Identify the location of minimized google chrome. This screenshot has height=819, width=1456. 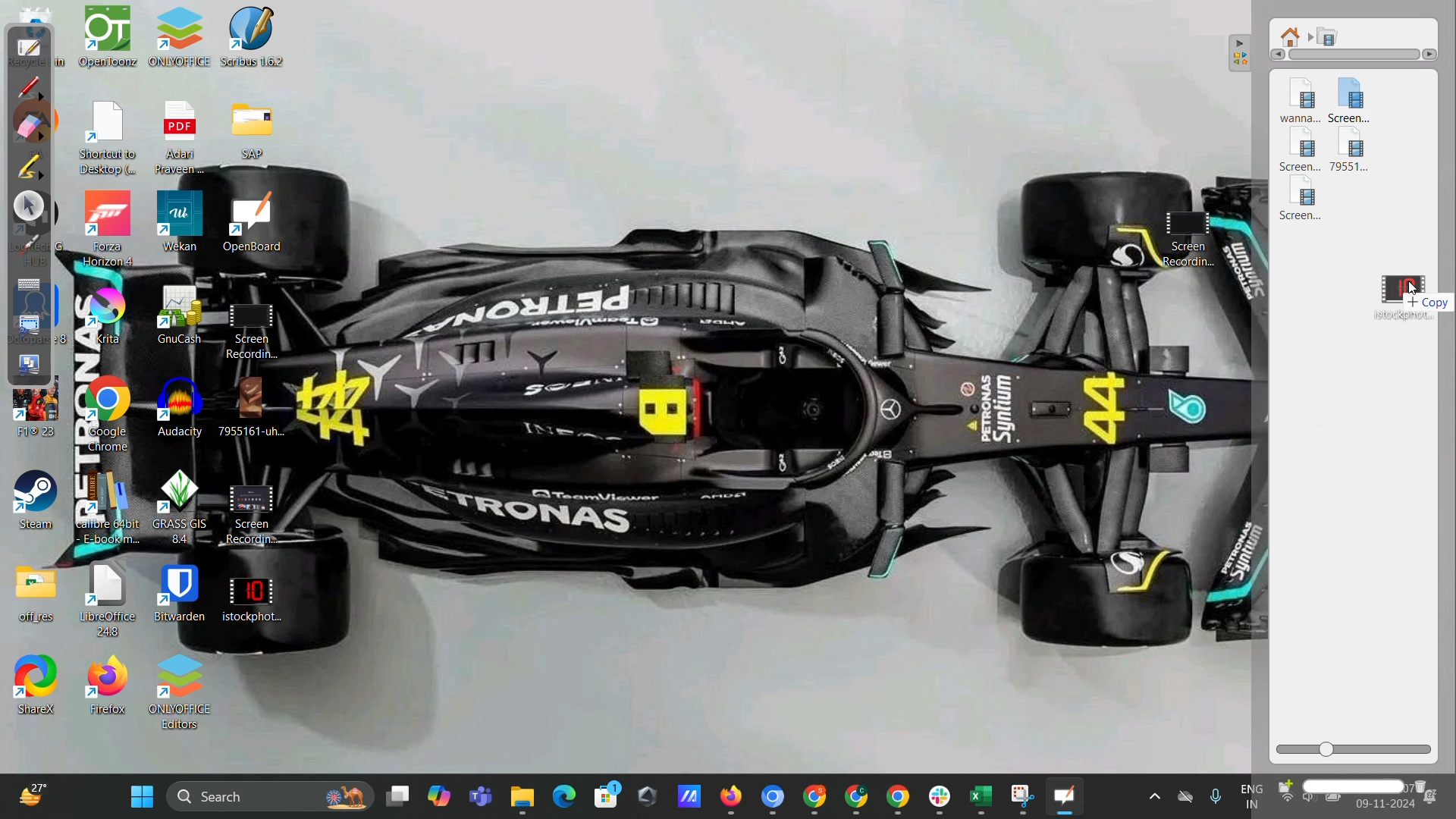
(777, 795).